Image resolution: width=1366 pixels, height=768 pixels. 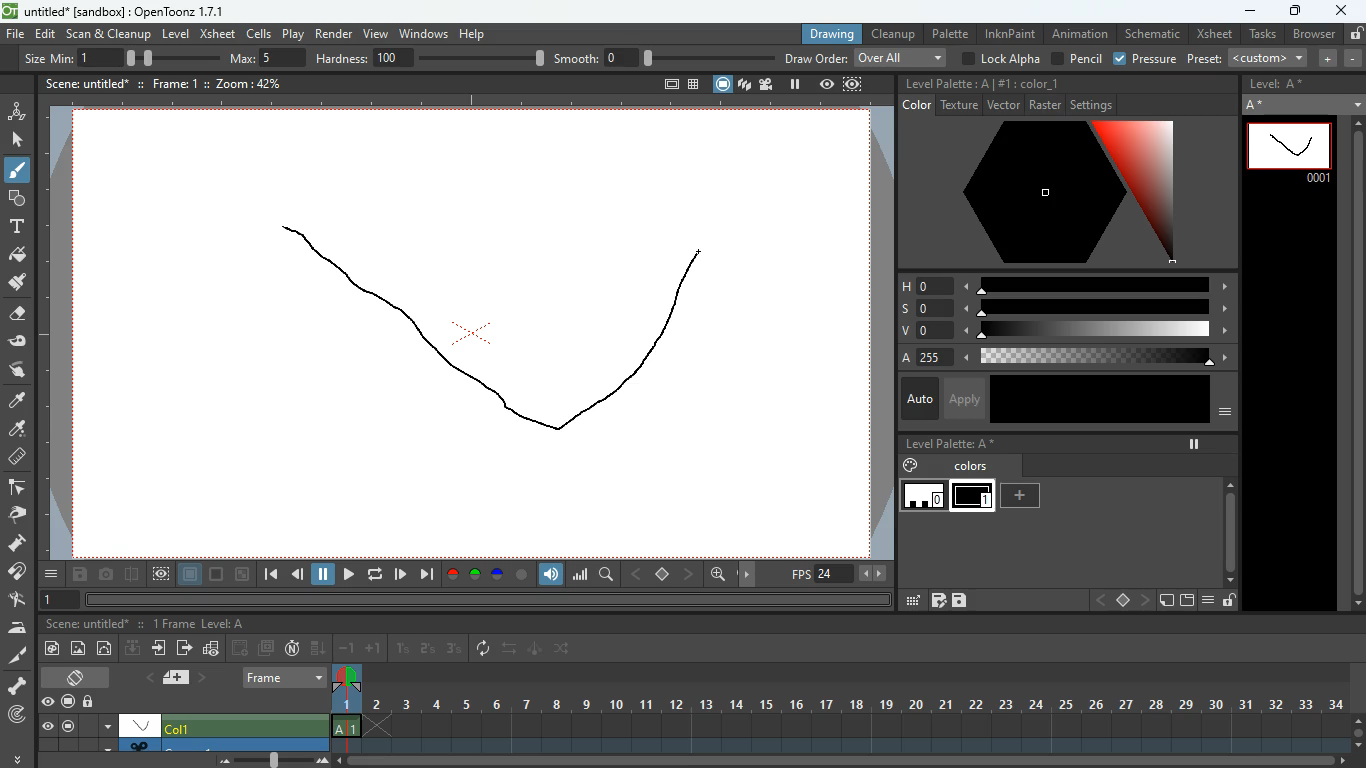 I want to click on back, so click(x=298, y=577).